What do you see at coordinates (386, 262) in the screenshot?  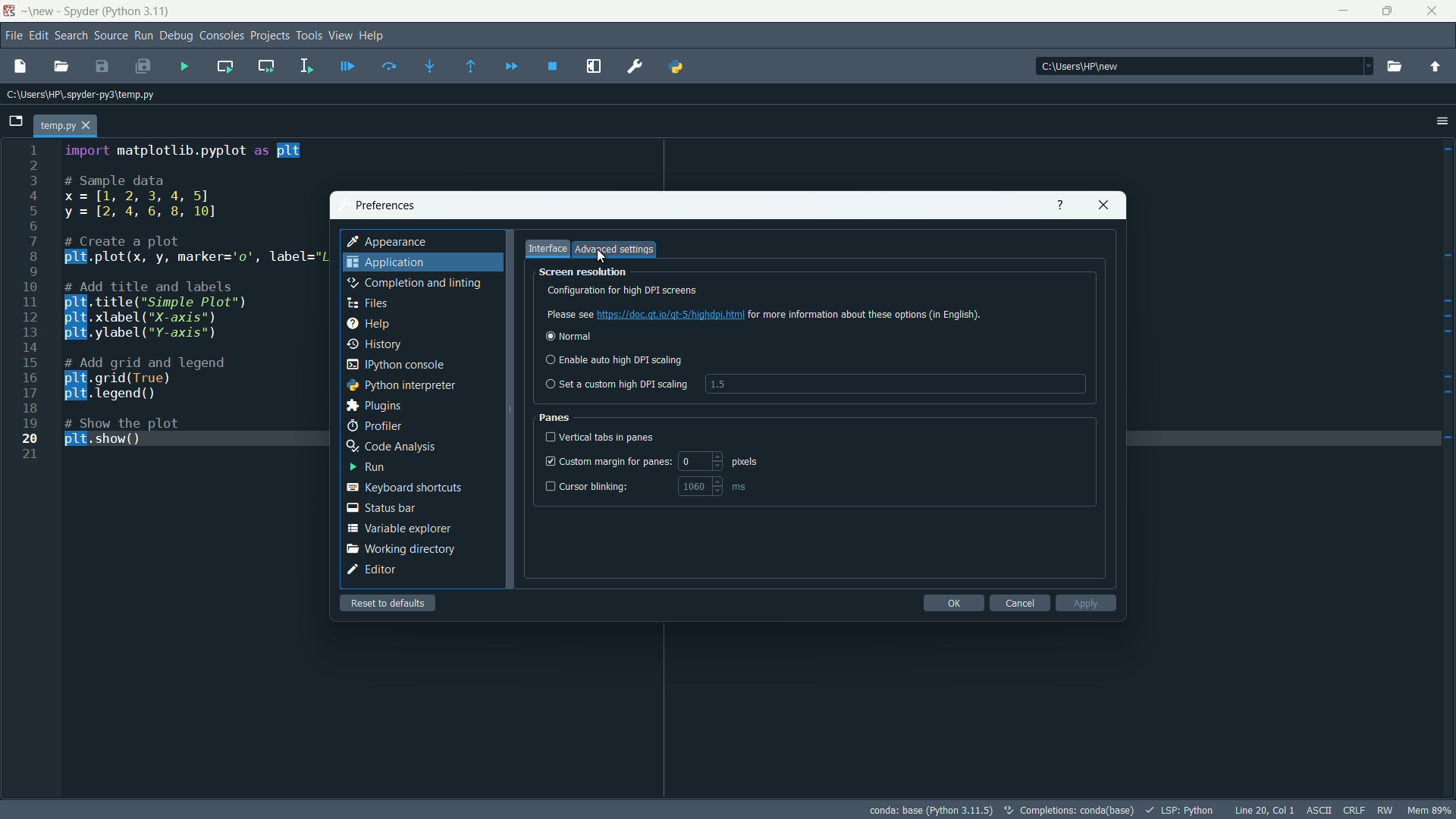 I see `application` at bounding box center [386, 262].